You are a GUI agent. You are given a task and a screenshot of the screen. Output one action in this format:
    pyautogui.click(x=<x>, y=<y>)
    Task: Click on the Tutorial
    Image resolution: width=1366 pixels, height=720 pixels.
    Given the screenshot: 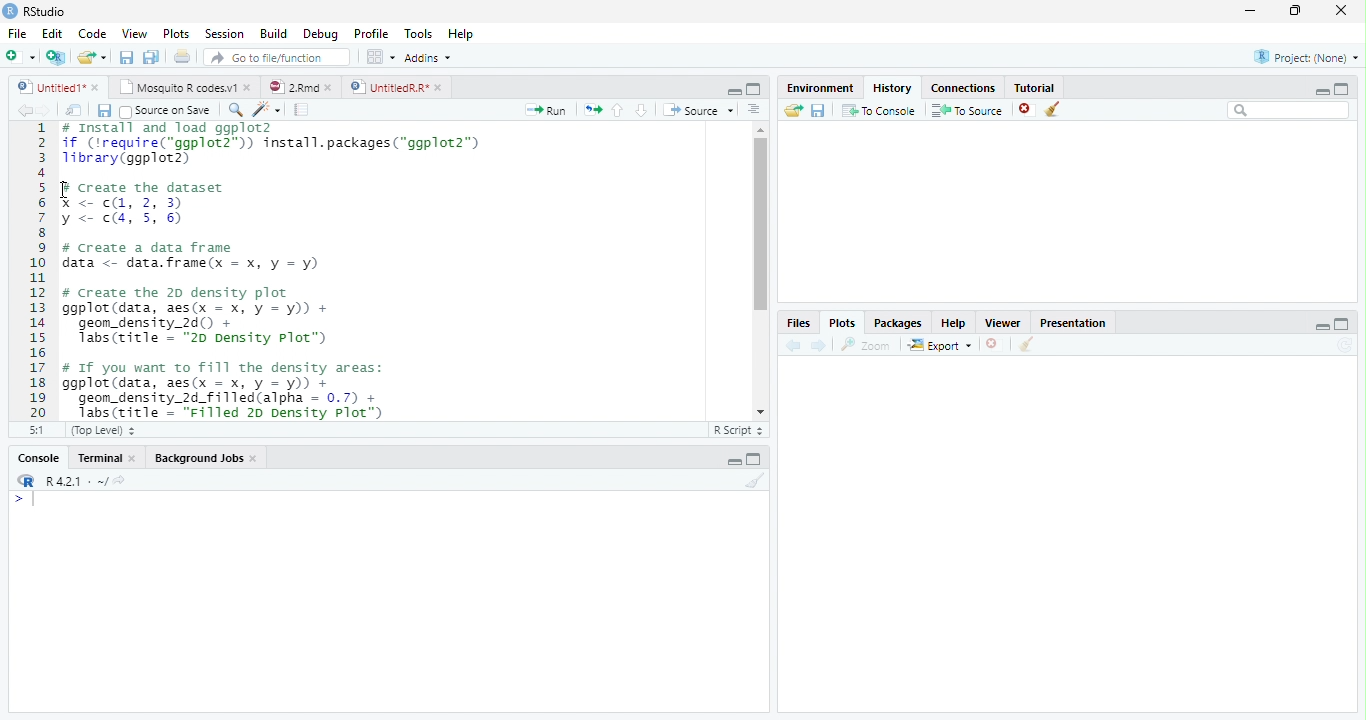 What is the action you would take?
    pyautogui.click(x=1036, y=87)
    